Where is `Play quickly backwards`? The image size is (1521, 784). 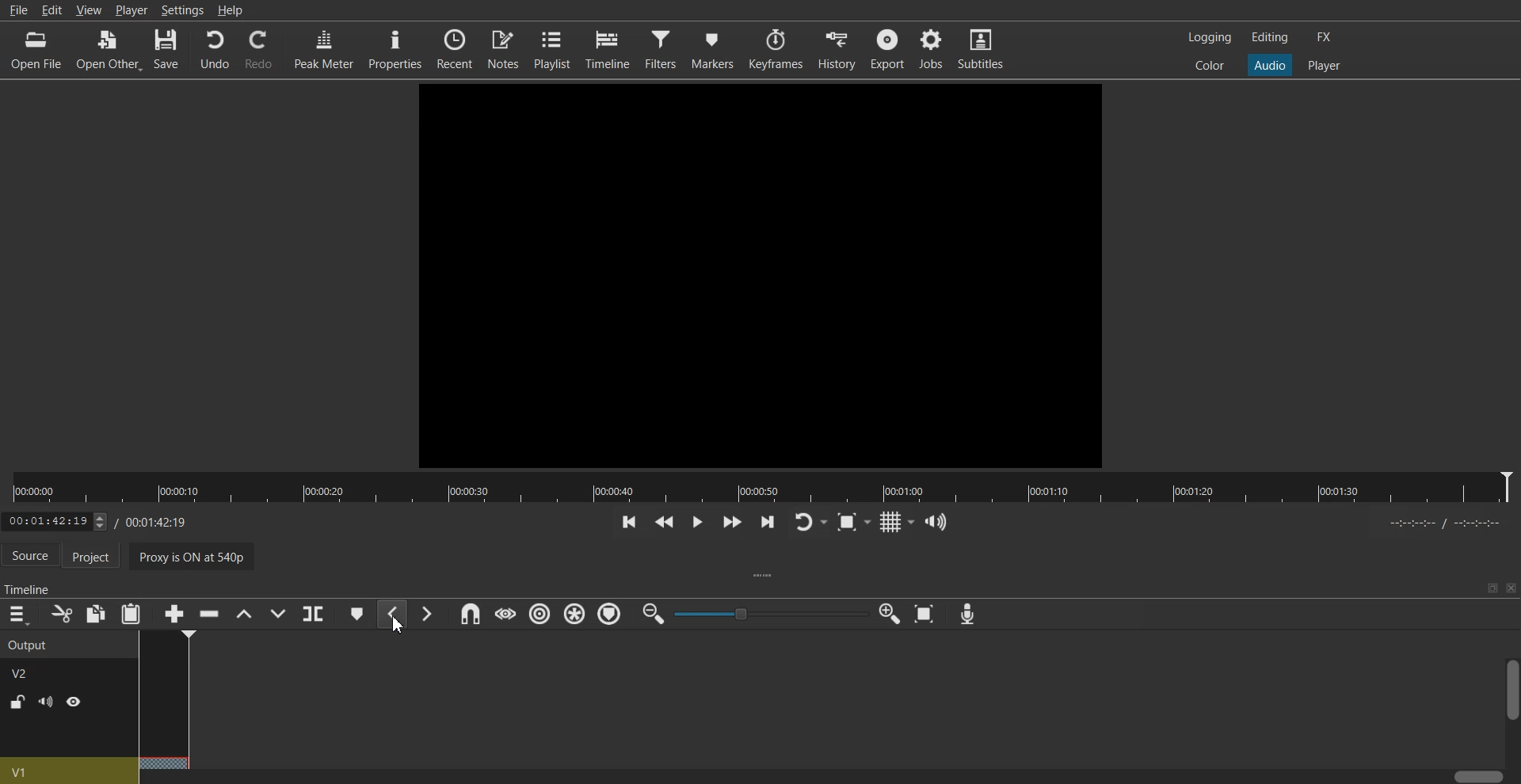 Play quickly backwards is located at coordinates (663, 521).